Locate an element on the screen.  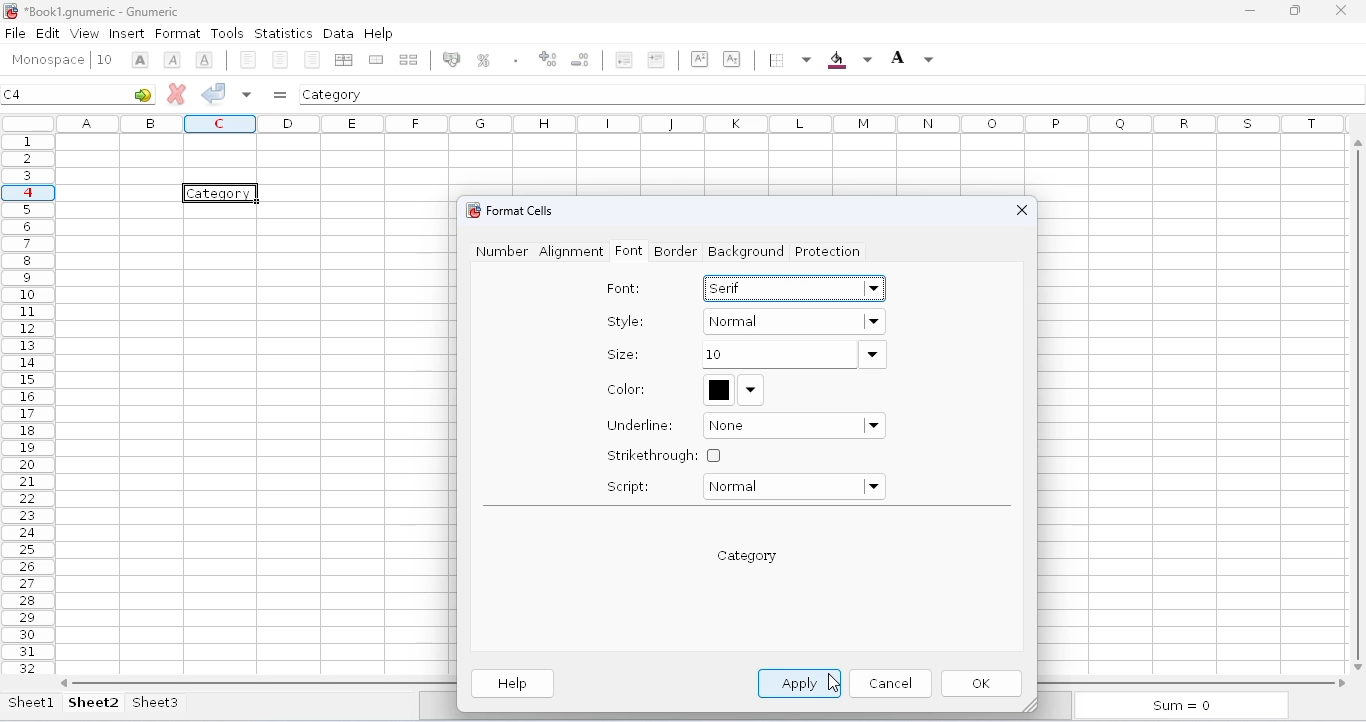
maximize is located at coordinates (1295, 11).